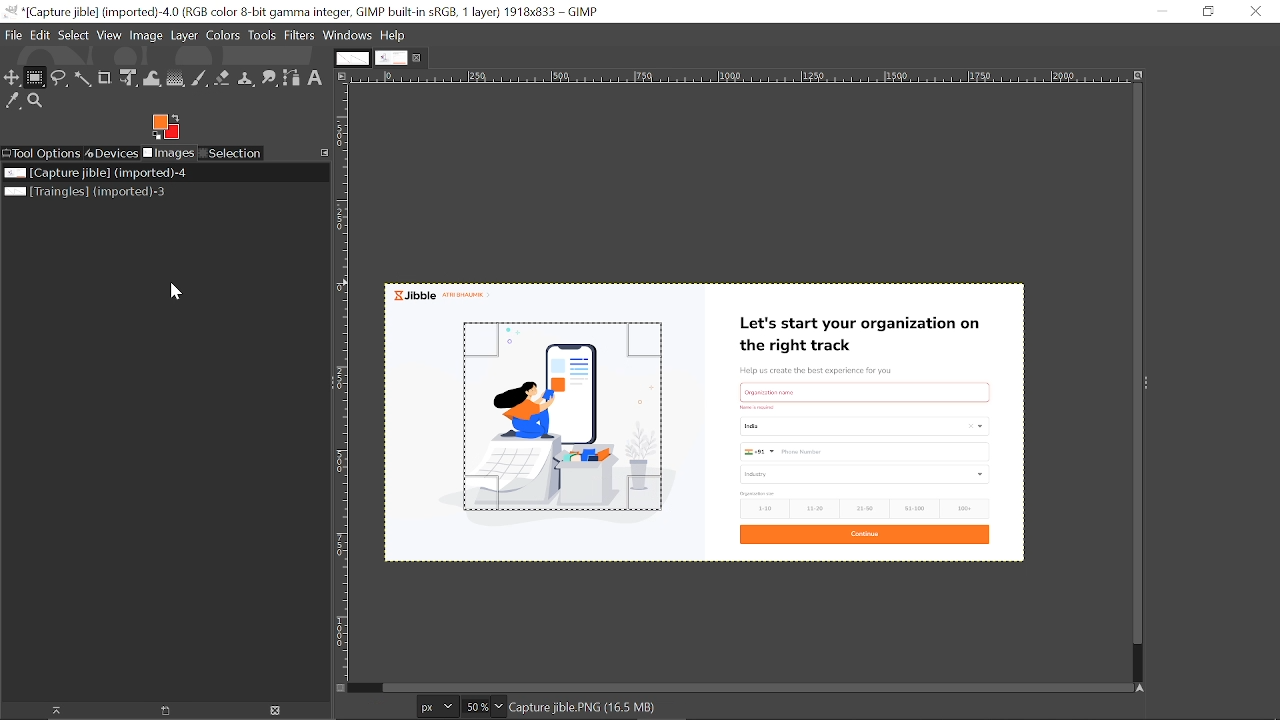 This screenshot has width=1280, height=720. What do you see at coordinates (341, 688) in the screenshot?
I see `Toggle quick mask On/Off` at bounding box center [341, 688].